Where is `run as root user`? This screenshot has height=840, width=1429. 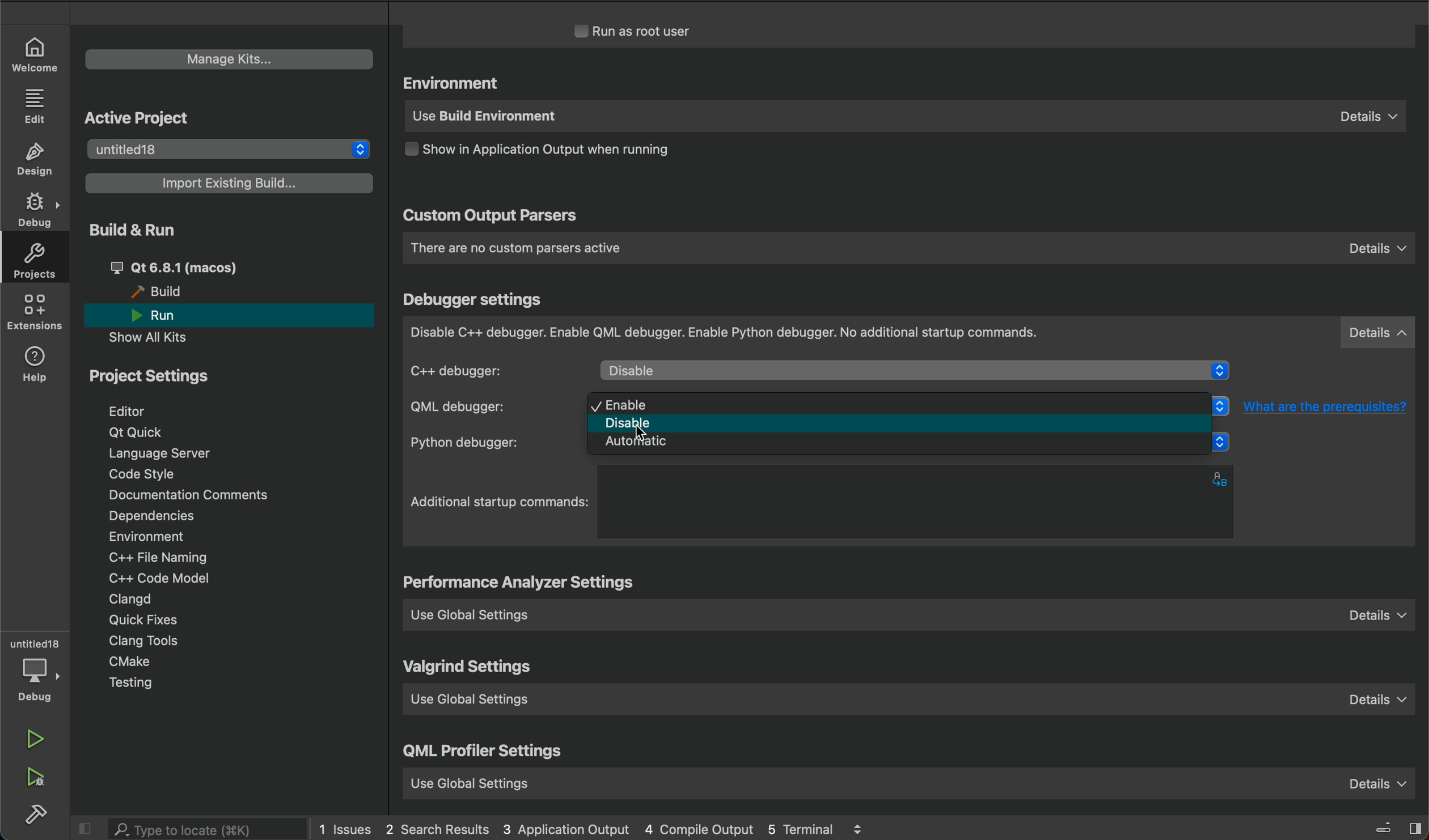 run as root user is located at coordinates (647, 31).